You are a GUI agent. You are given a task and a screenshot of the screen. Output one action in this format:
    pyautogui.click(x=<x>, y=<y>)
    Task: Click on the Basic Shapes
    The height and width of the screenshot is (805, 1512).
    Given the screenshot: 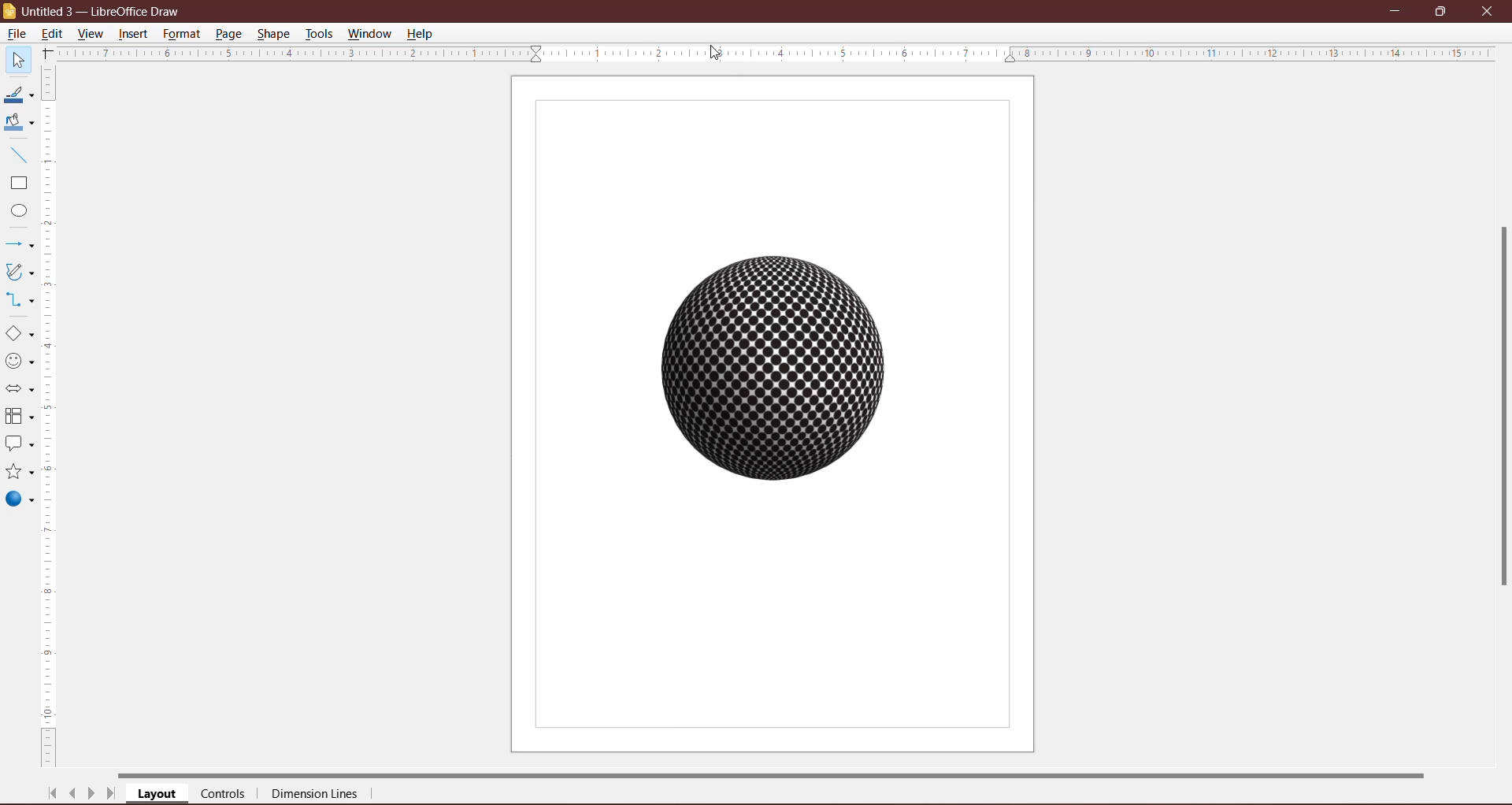 What is the action you would take?
    pyautogui.click(x=19, y=334)
    